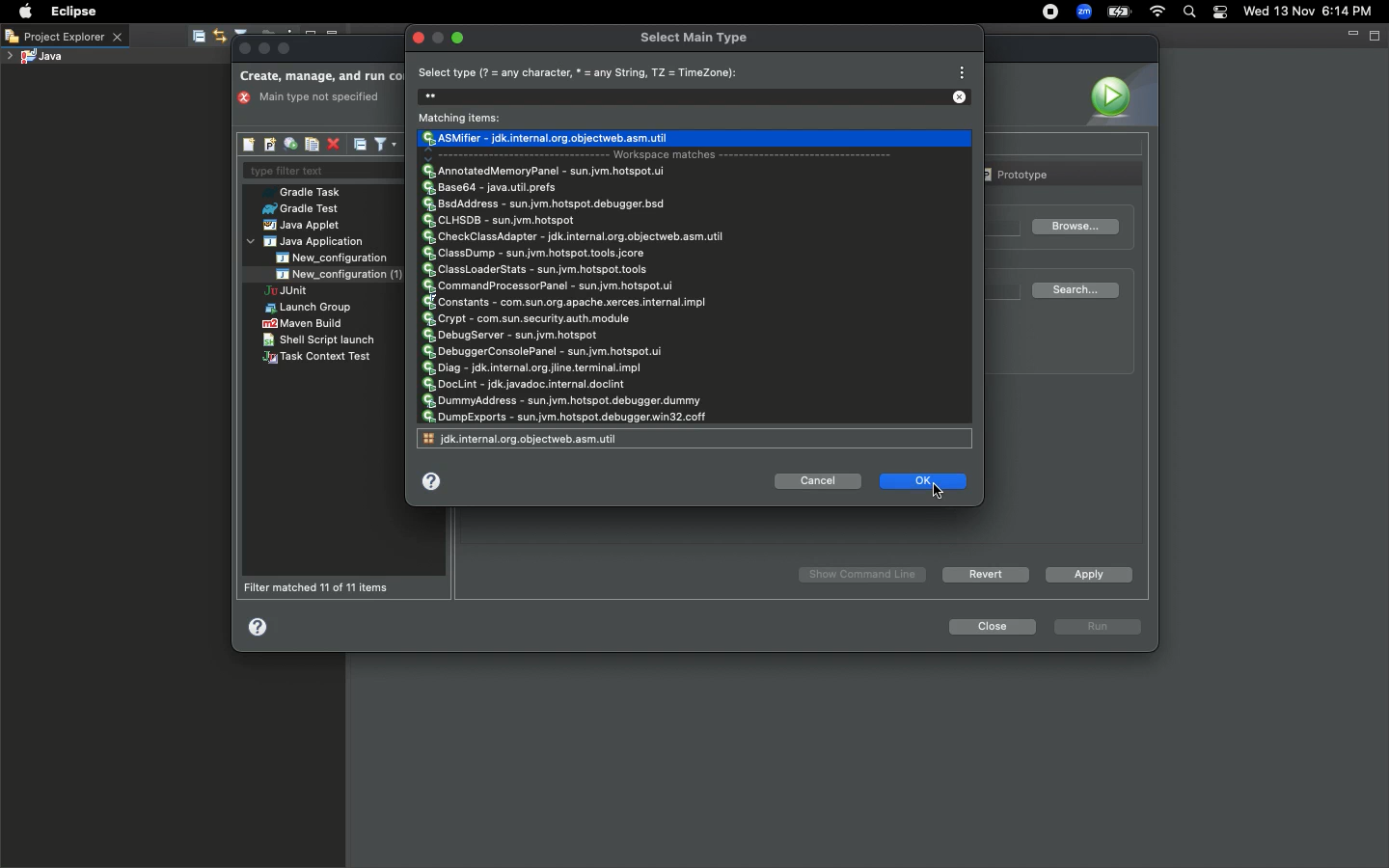 The width and height of the screenshot is (1389, 868). Describe the element at coordinates (983, 574) in the screenshot. I see `Revert` at that location.